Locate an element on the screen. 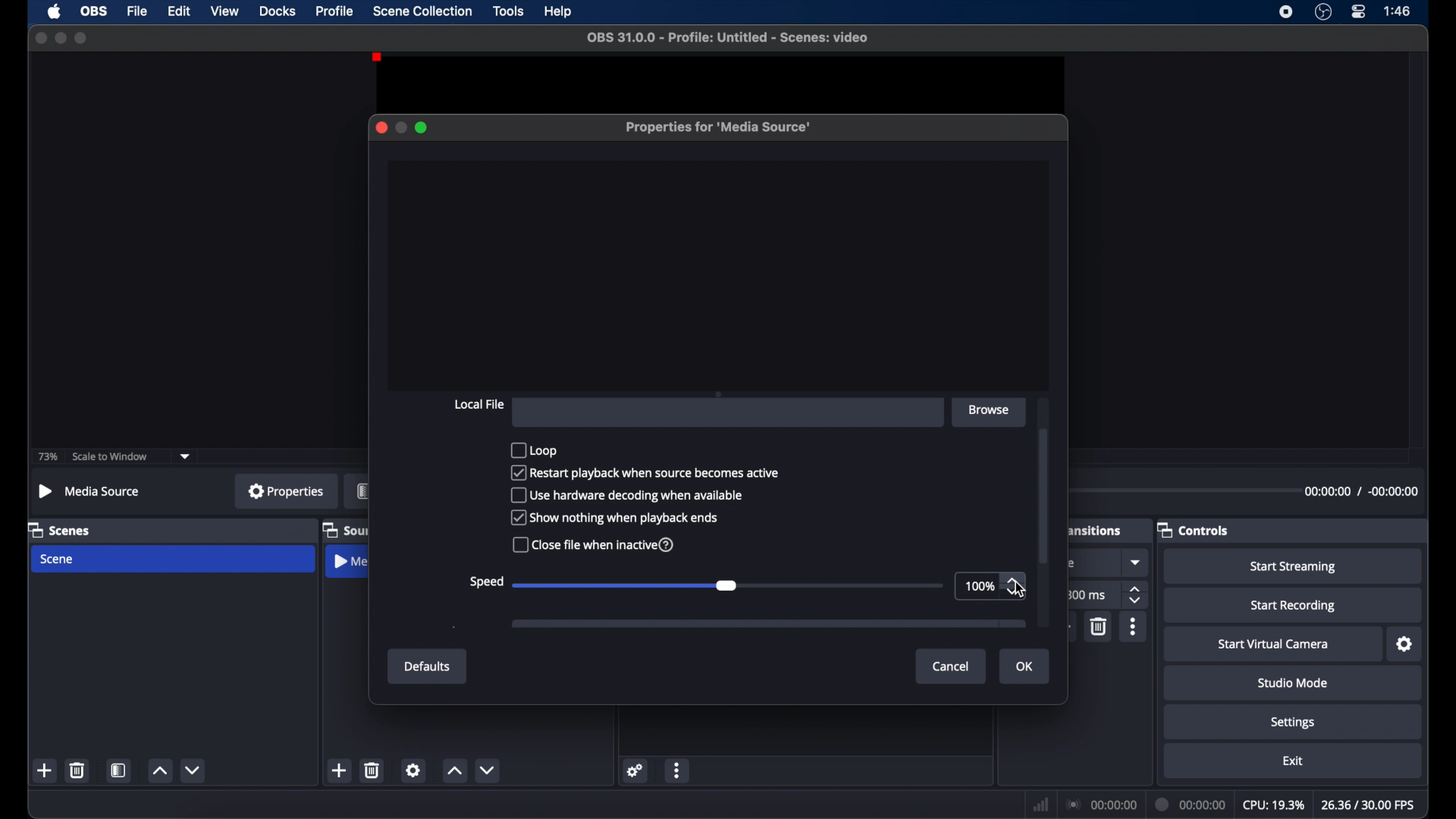  restart playback when source becomes active is located at coordinates (645, 473).